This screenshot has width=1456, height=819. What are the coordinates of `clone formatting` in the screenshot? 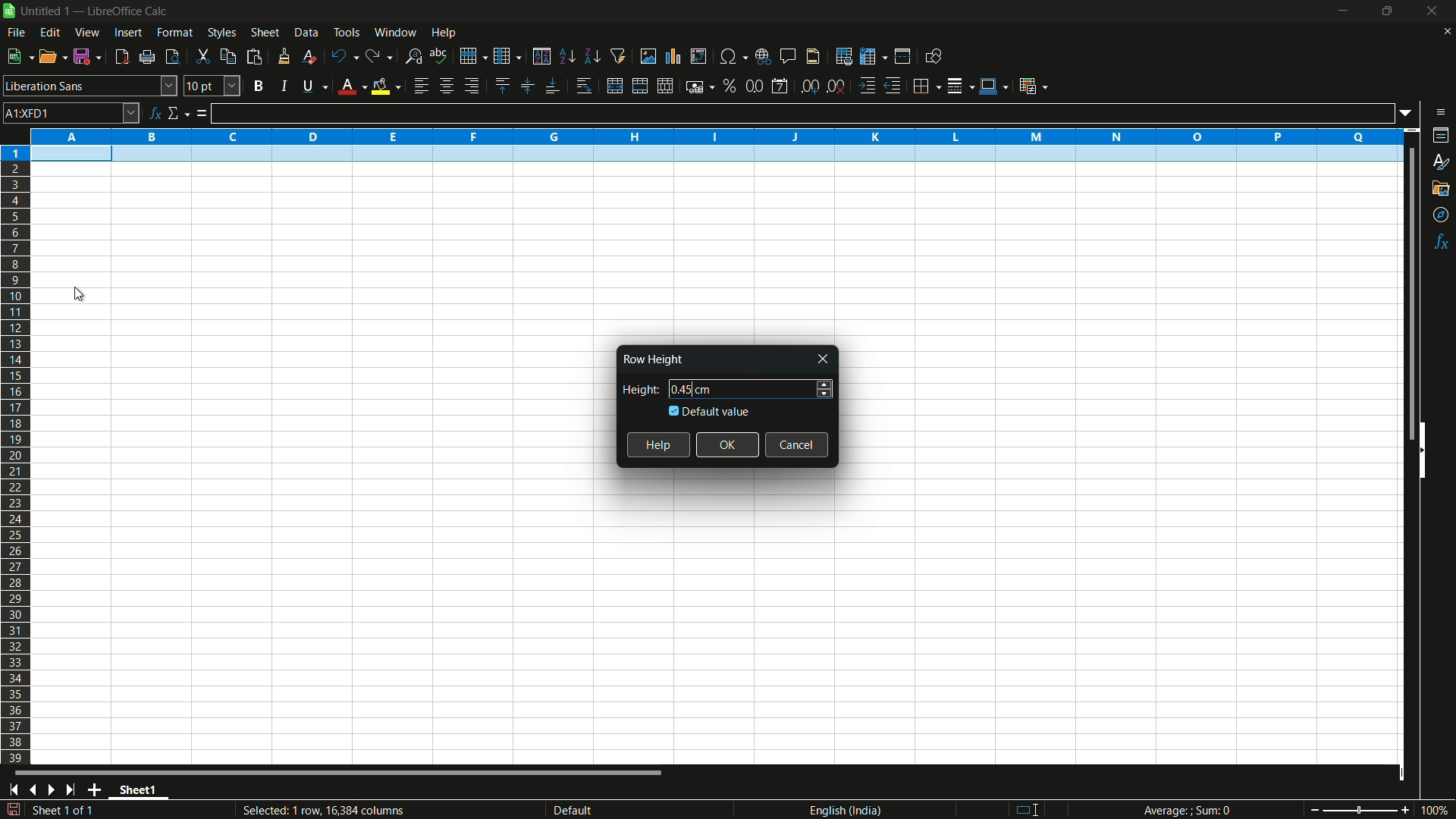 It's located at (284, 56).